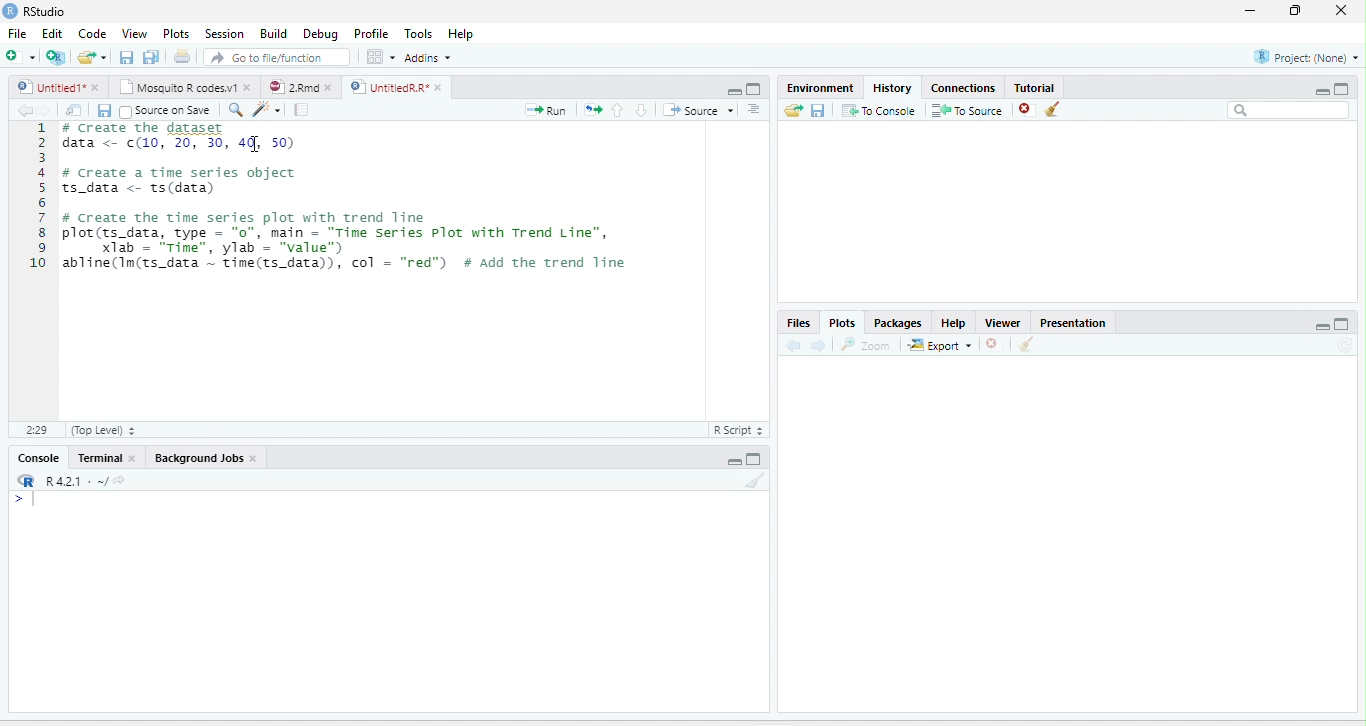 The height and width of the screenshot is (726, 1366). I want to click on Go to previous section/chunk, so click(617, 109).